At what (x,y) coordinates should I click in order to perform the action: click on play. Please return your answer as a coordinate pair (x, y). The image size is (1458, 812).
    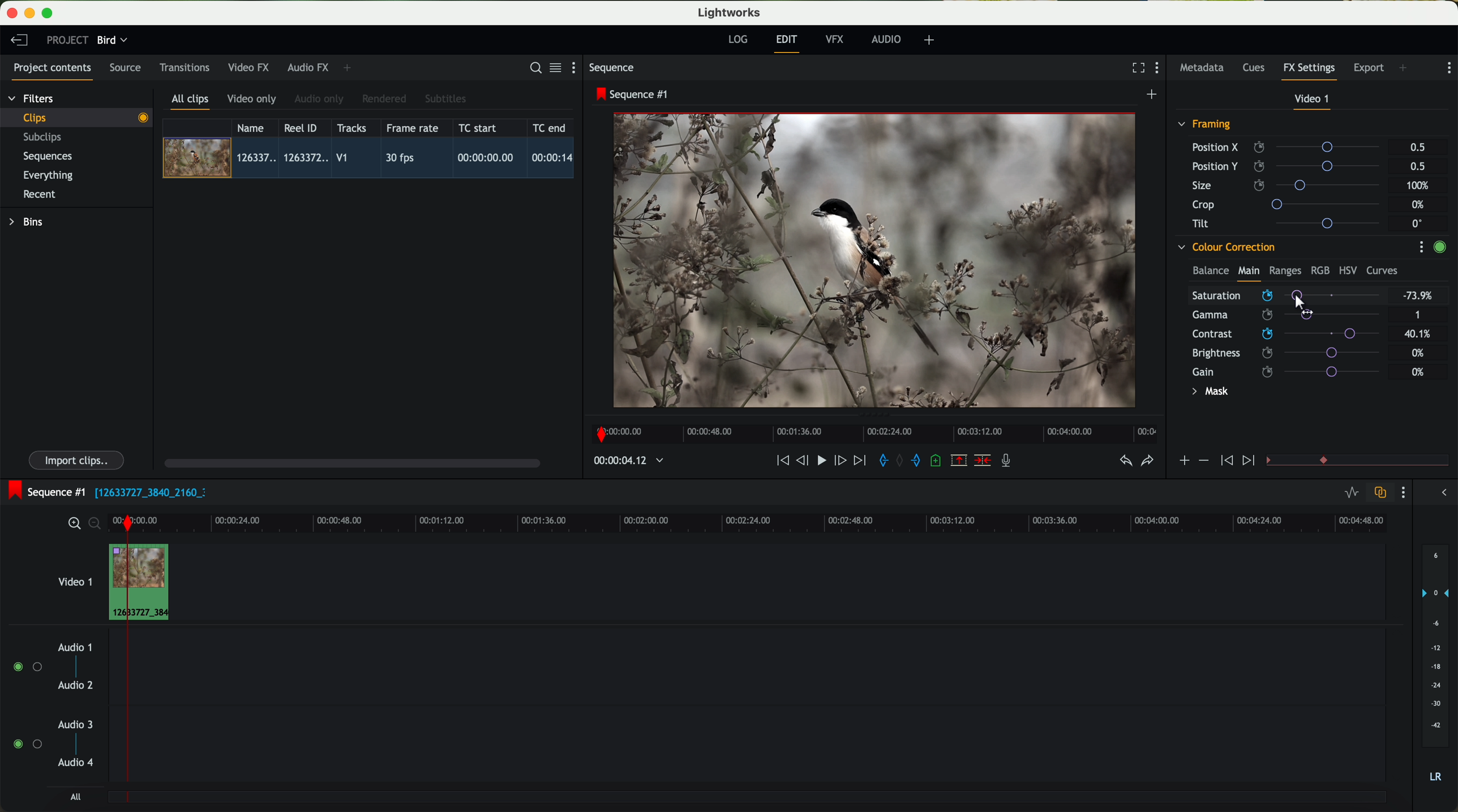
    Looking at the image, I should click on (821, 459).